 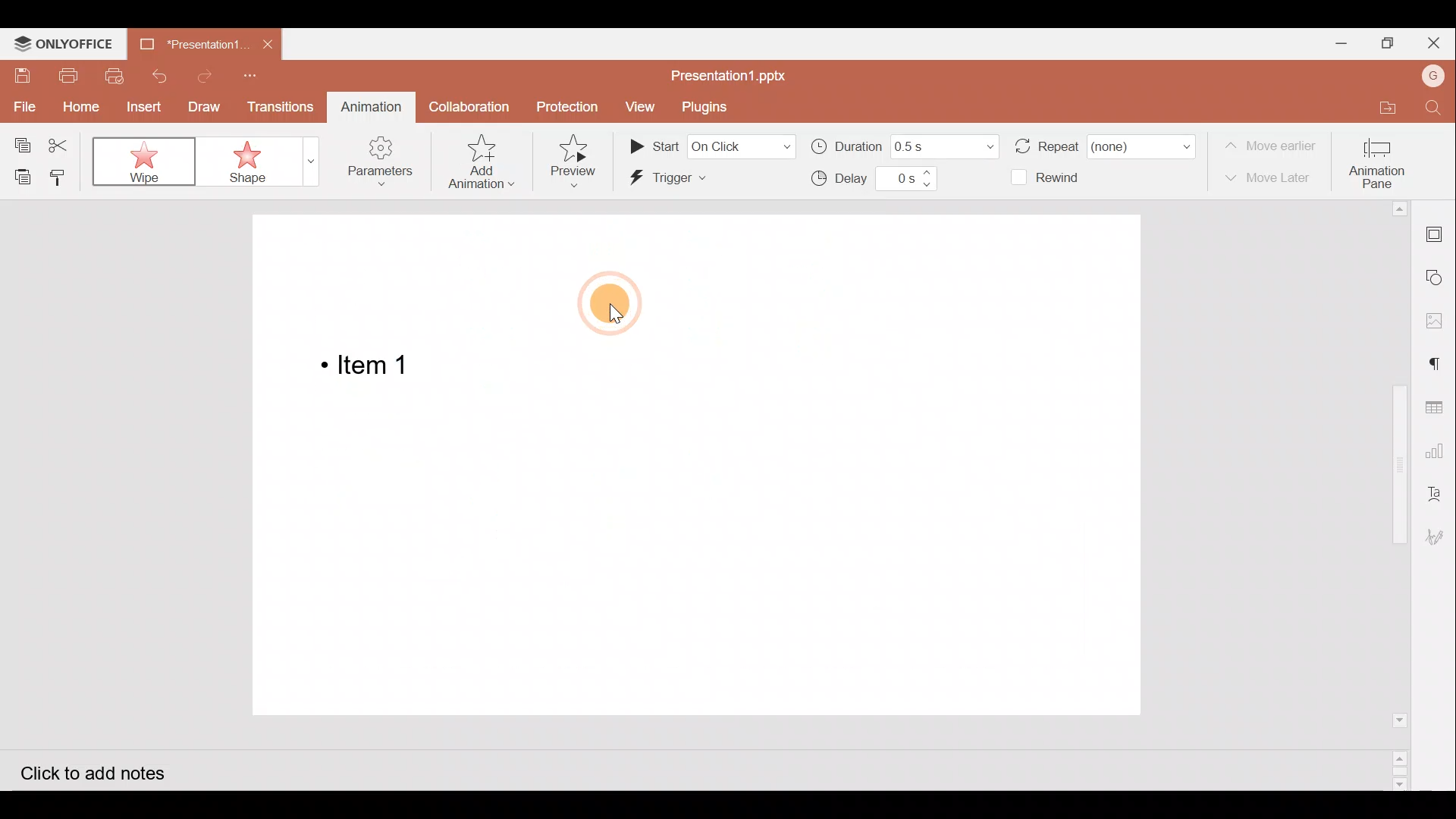 I want to click on Cursor, so click(x=606, y=301).